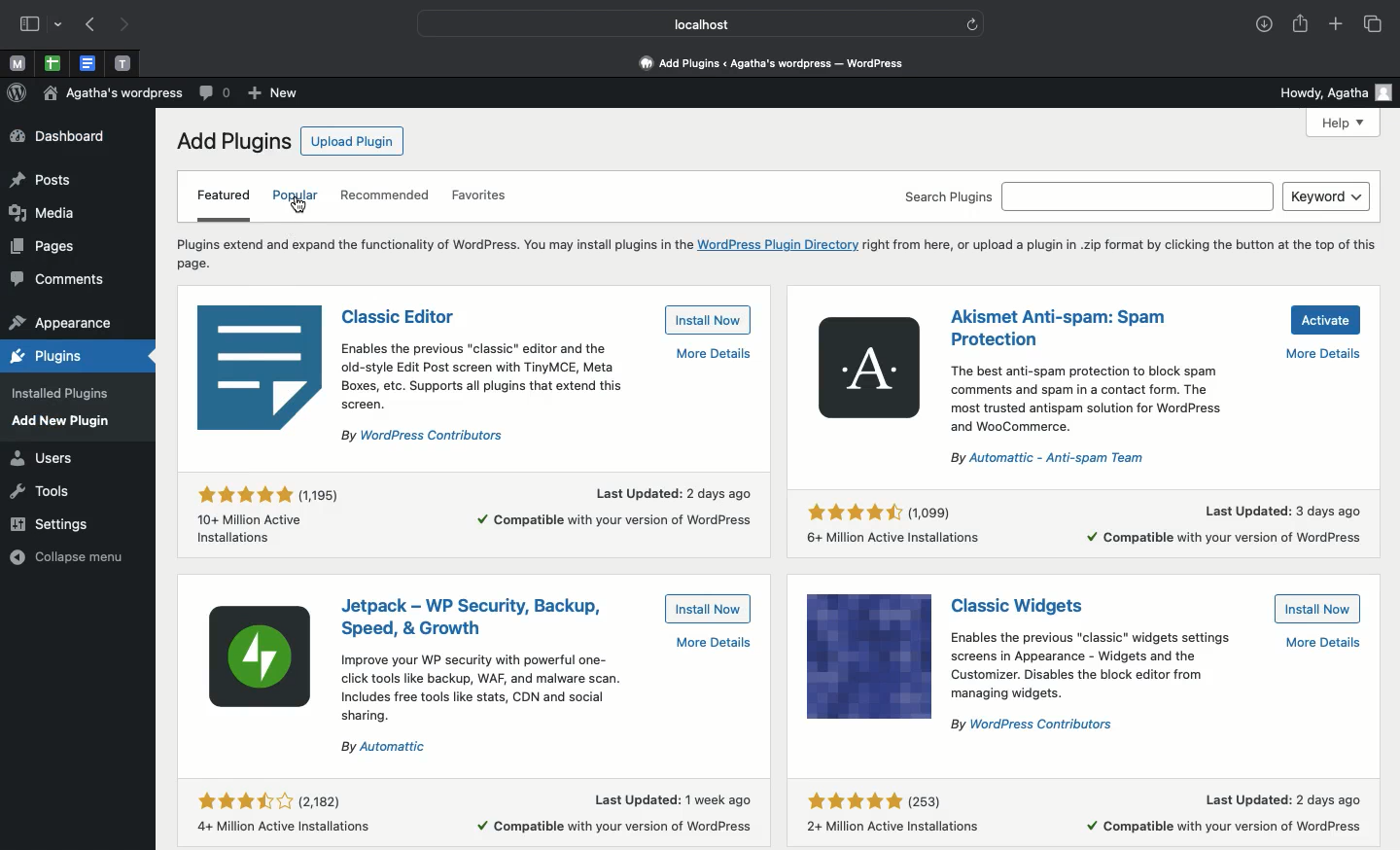 The width and height of the screenshot is (1400, 850). I want to click on Recommended, so click(388, 197).